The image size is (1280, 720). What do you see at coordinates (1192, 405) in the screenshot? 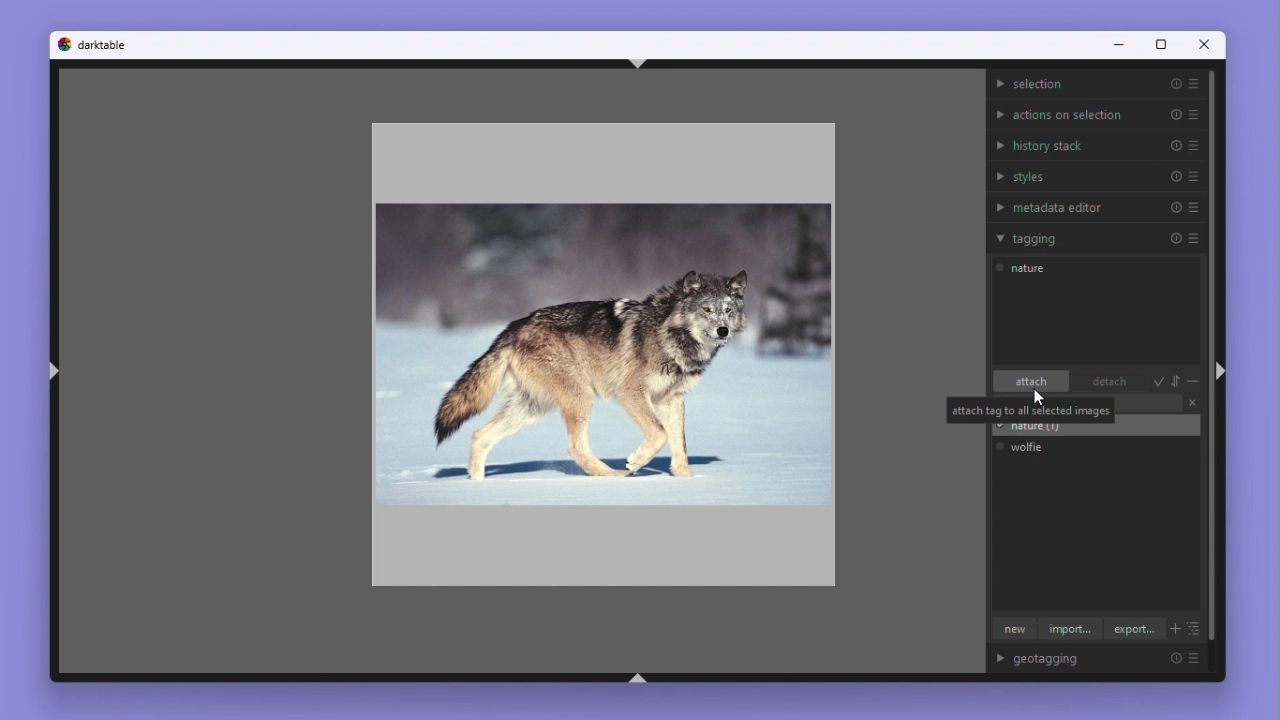
I see `Close` at bounding box center [1192, 405].